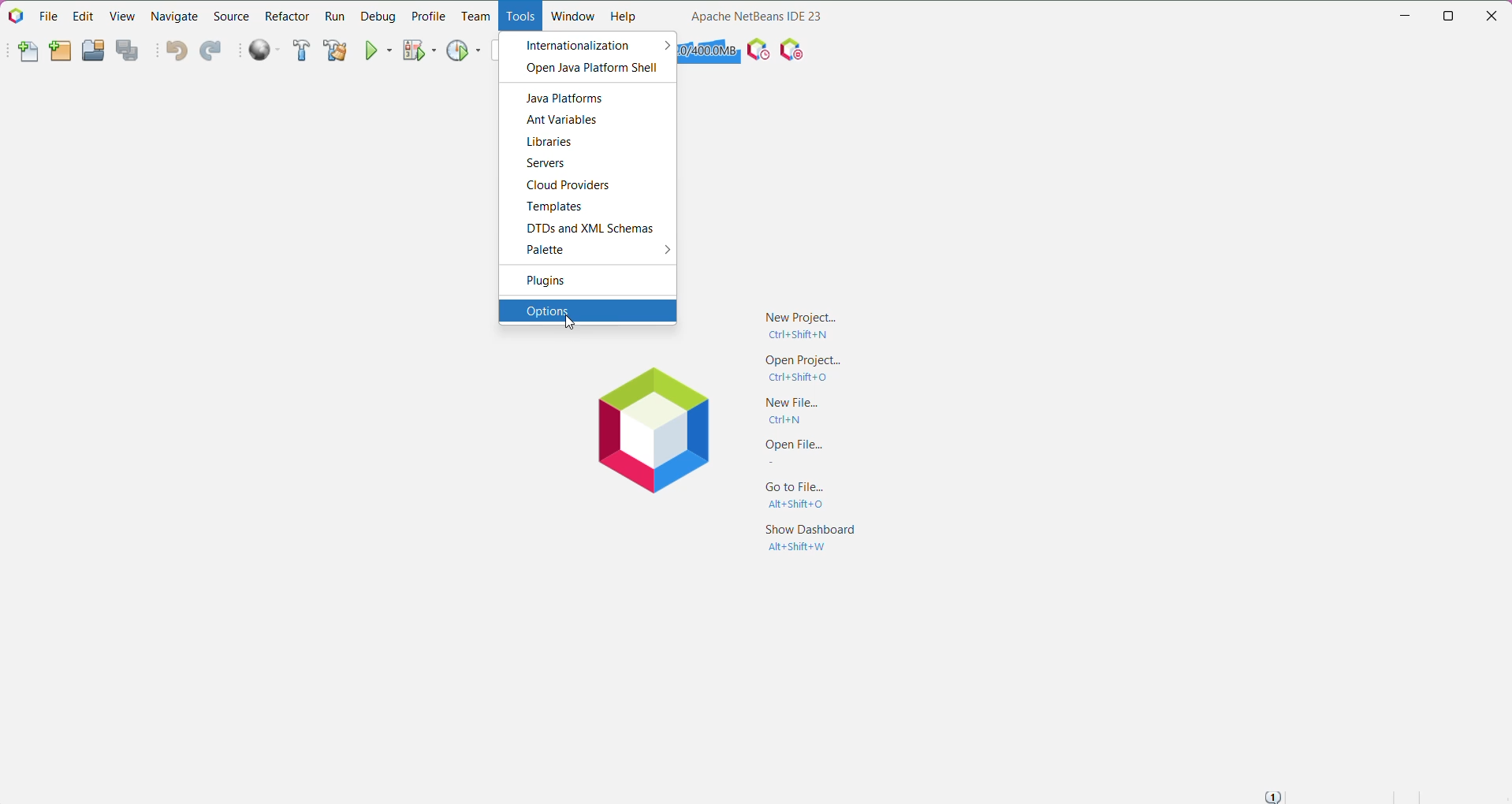 The width and height of the screenshot is (1512, 804). Describe the element at coordinates (380, 50) in the screenshot. I see `Run Project` at that location.